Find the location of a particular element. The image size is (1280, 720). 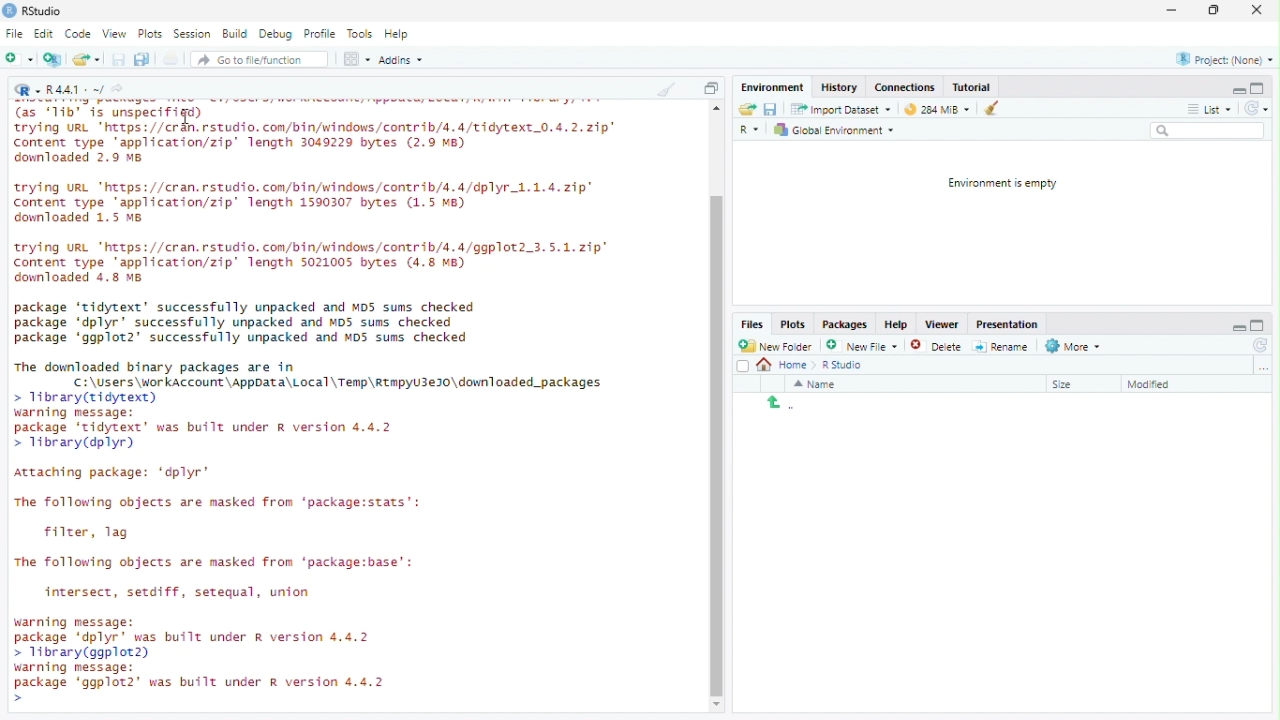

package ‘tidytext’ successfully unpacked and MDS sums checked
package ‘dplyr’ successfully unpacked and MDs sums checked
package ‘ggplot2’ successfully unpacked and MDS sums checked is located at coordinates (245, 321).